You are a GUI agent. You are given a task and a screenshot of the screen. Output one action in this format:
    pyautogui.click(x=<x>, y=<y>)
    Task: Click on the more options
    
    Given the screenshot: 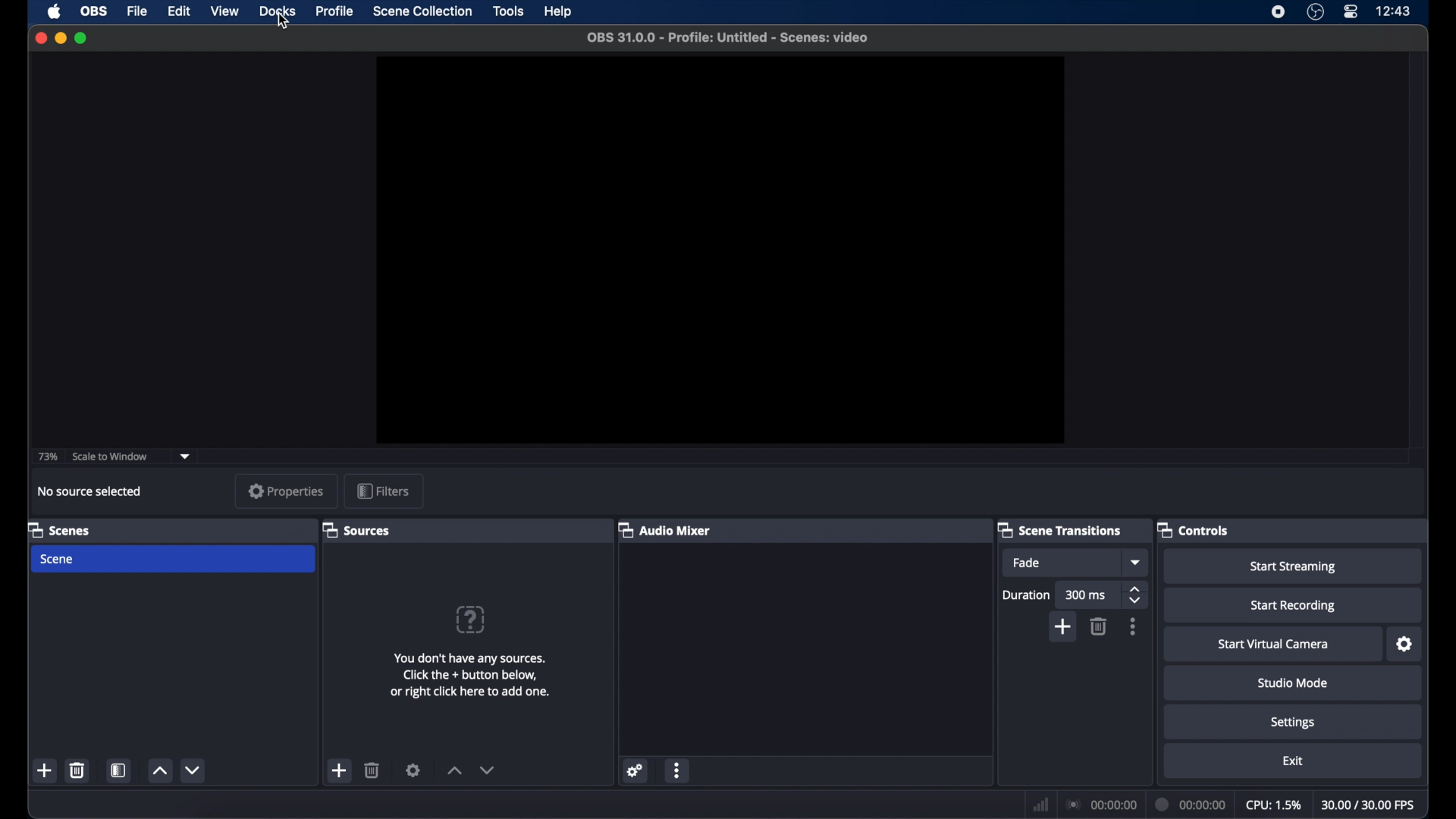 What is the action you would take?
    pyautogui.click(x=1134, y=626)
    